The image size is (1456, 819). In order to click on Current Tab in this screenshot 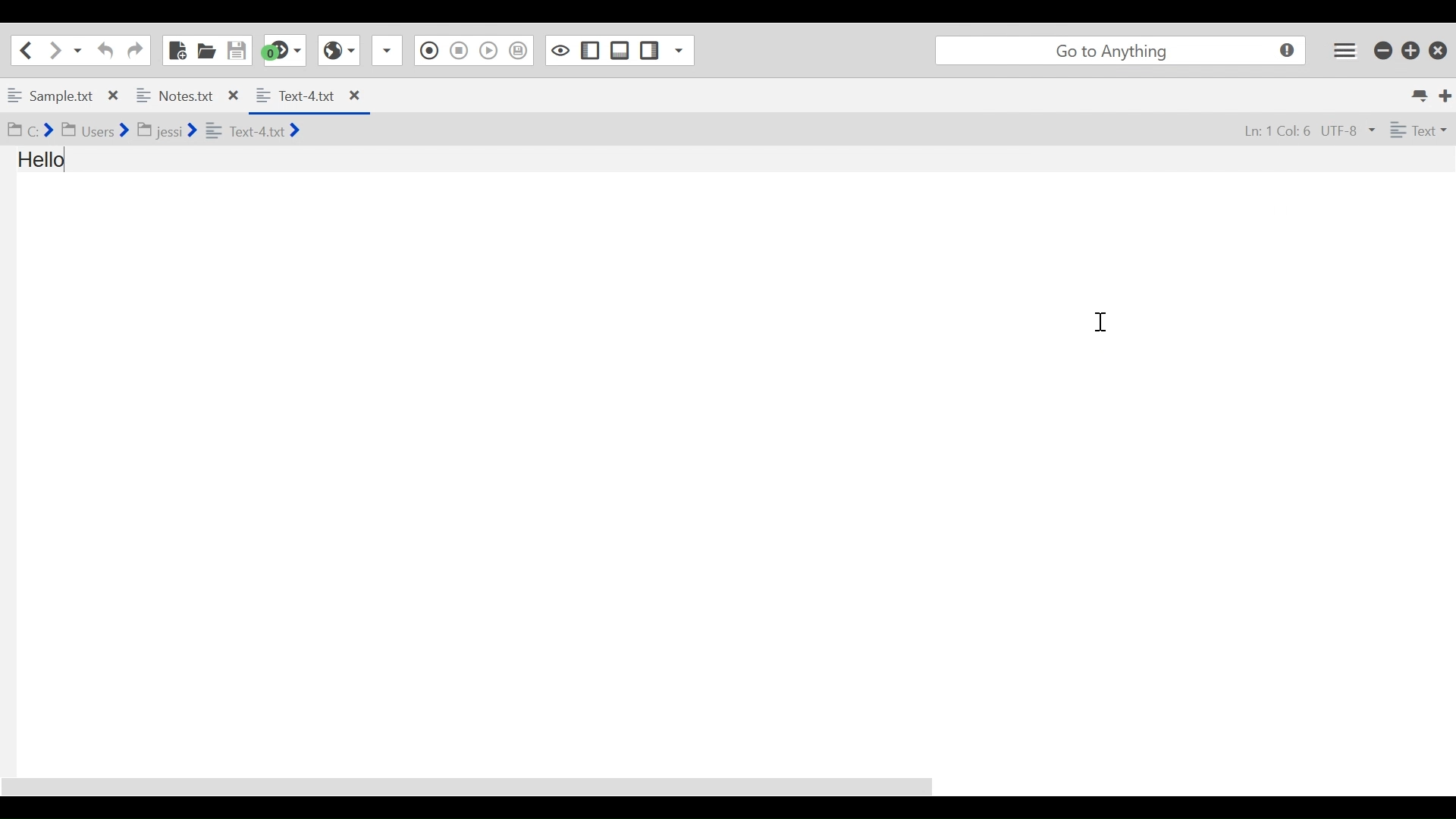, I will do `click(307, 96)`.